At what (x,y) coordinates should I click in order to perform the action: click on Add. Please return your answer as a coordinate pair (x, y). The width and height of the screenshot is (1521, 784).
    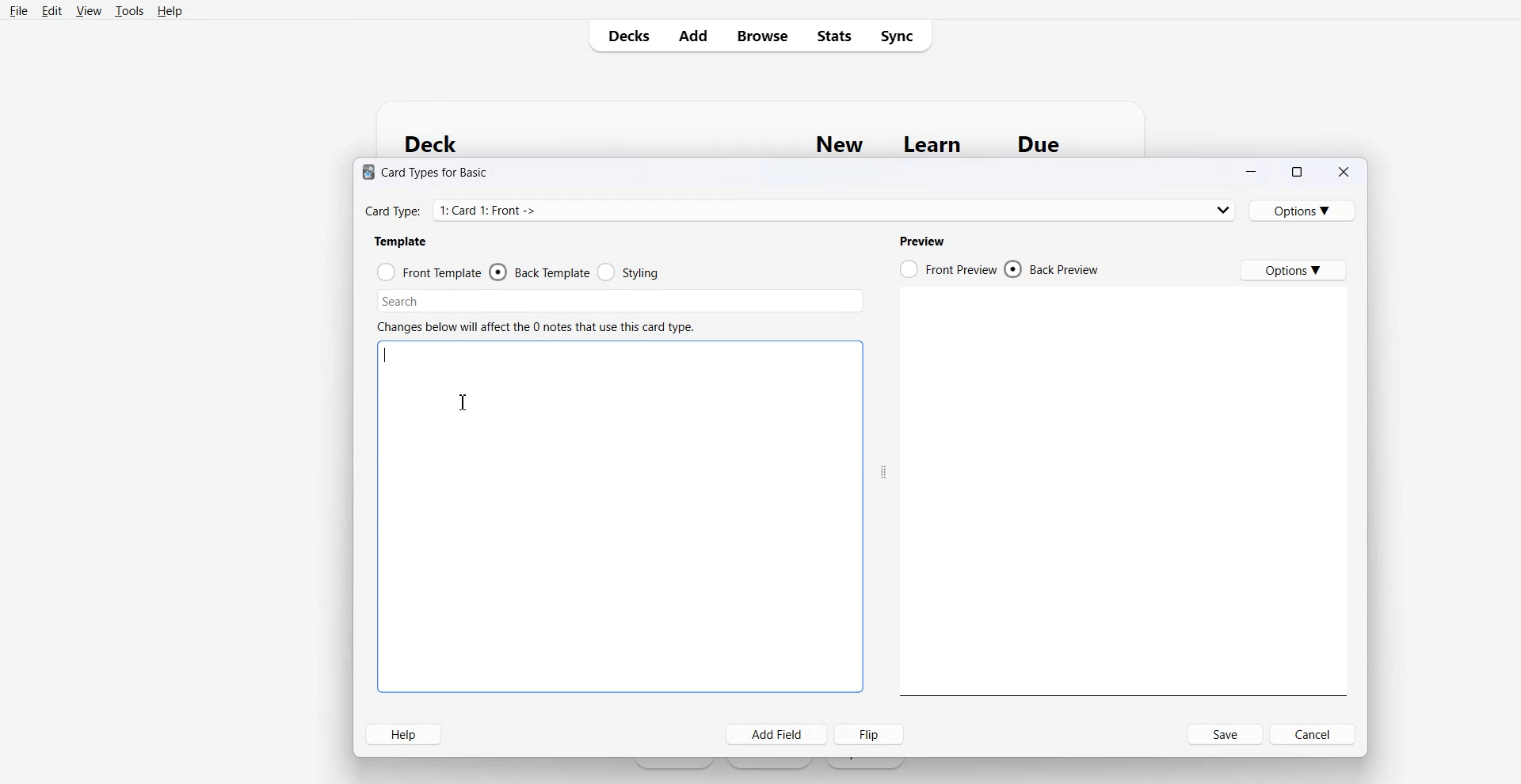
    Looking at the image, I should click on (692, 35).